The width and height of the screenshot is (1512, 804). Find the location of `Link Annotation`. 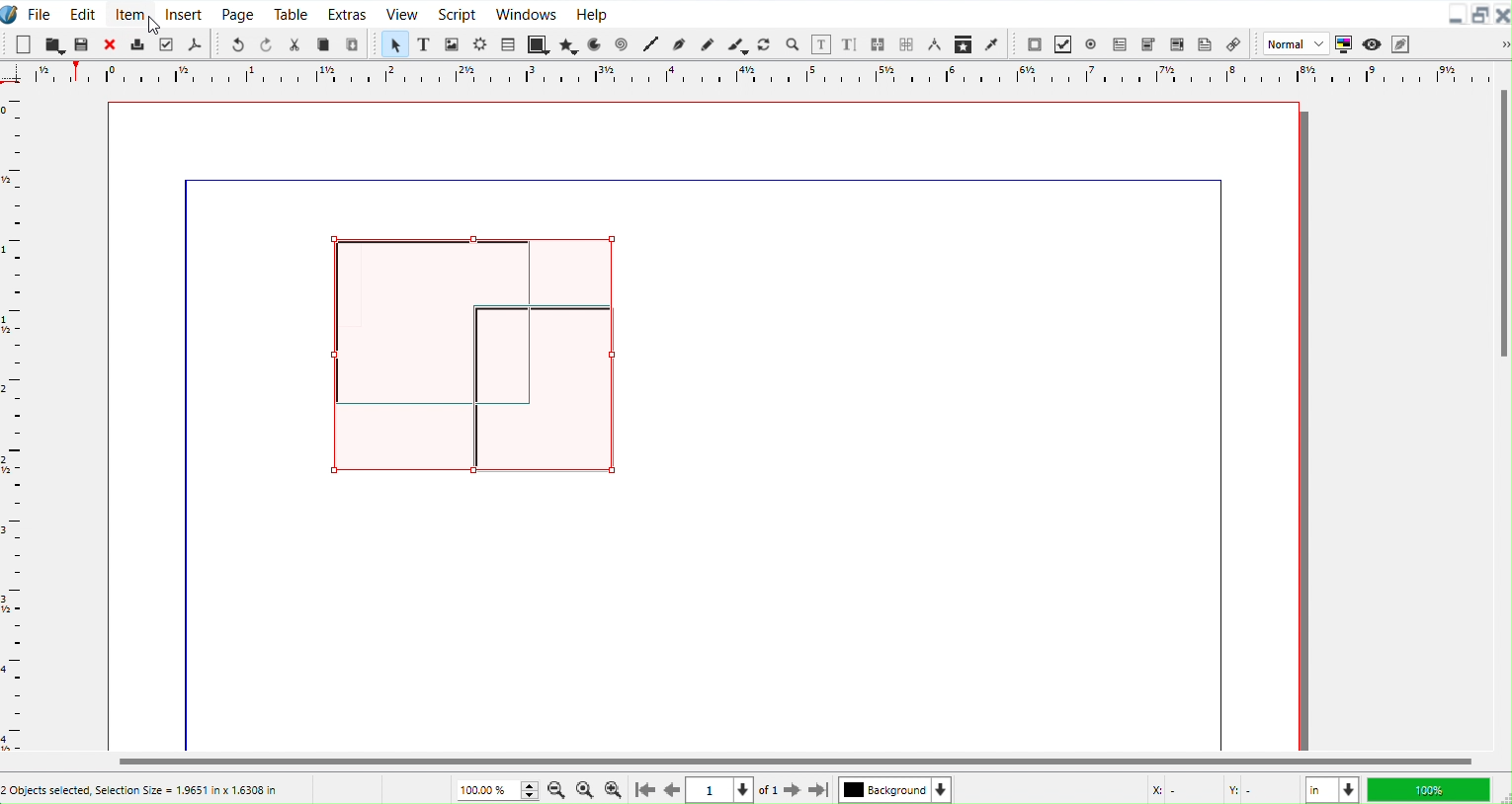

Link Annotation is located at coordinates (1233, 43).